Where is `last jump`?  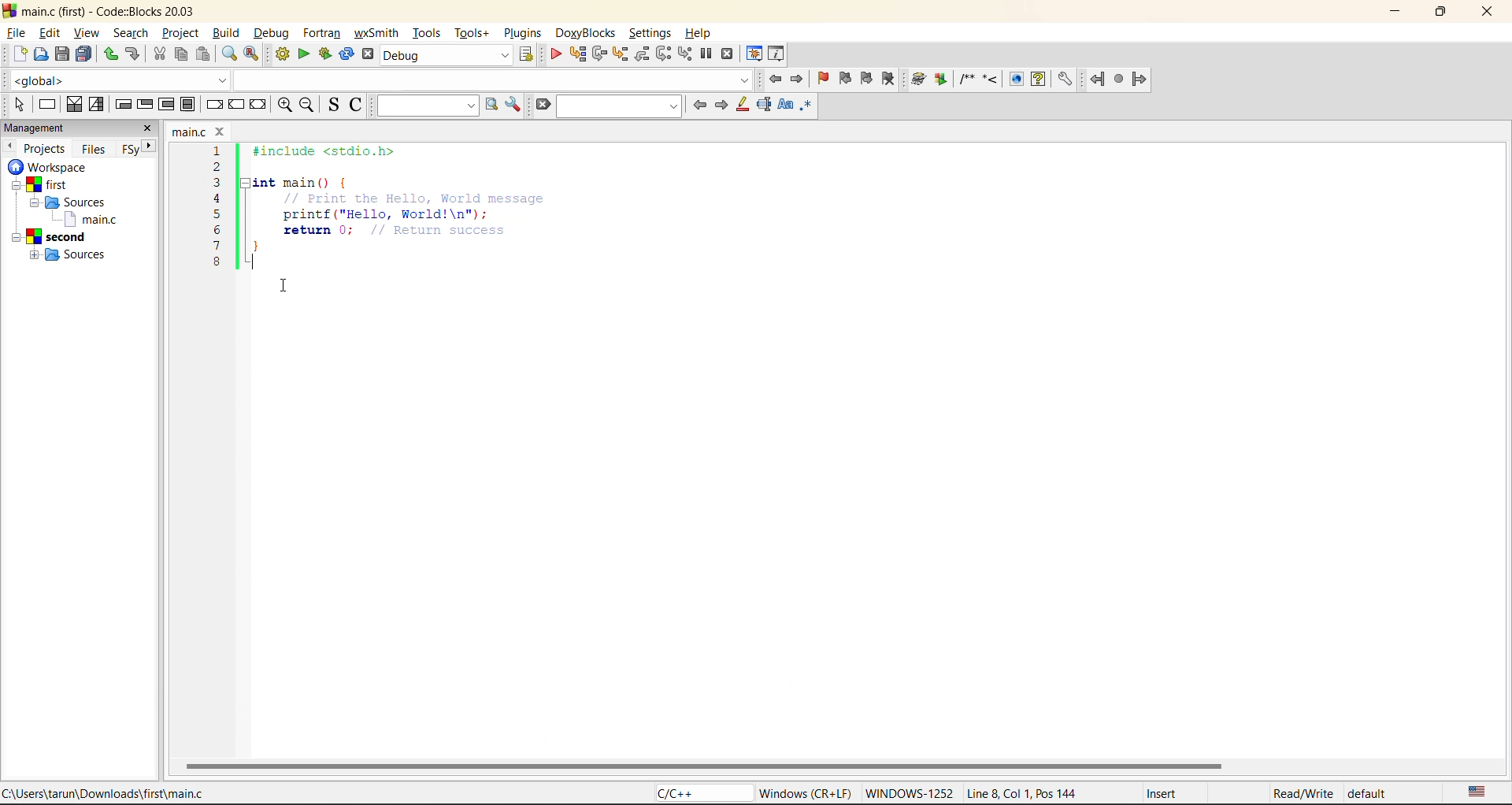 last jump is located at coordinates (1121, 79).